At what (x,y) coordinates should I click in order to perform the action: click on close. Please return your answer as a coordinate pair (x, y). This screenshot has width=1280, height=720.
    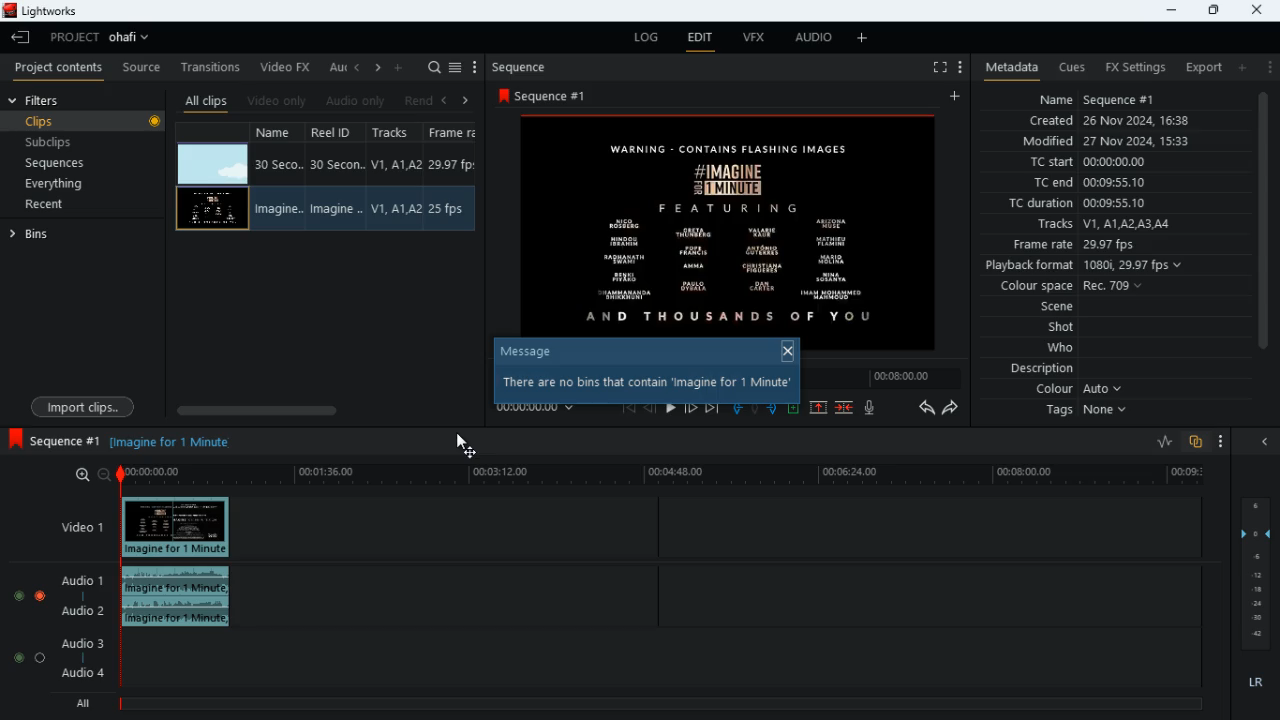
    Looking at the image, I should click on (789, 349).